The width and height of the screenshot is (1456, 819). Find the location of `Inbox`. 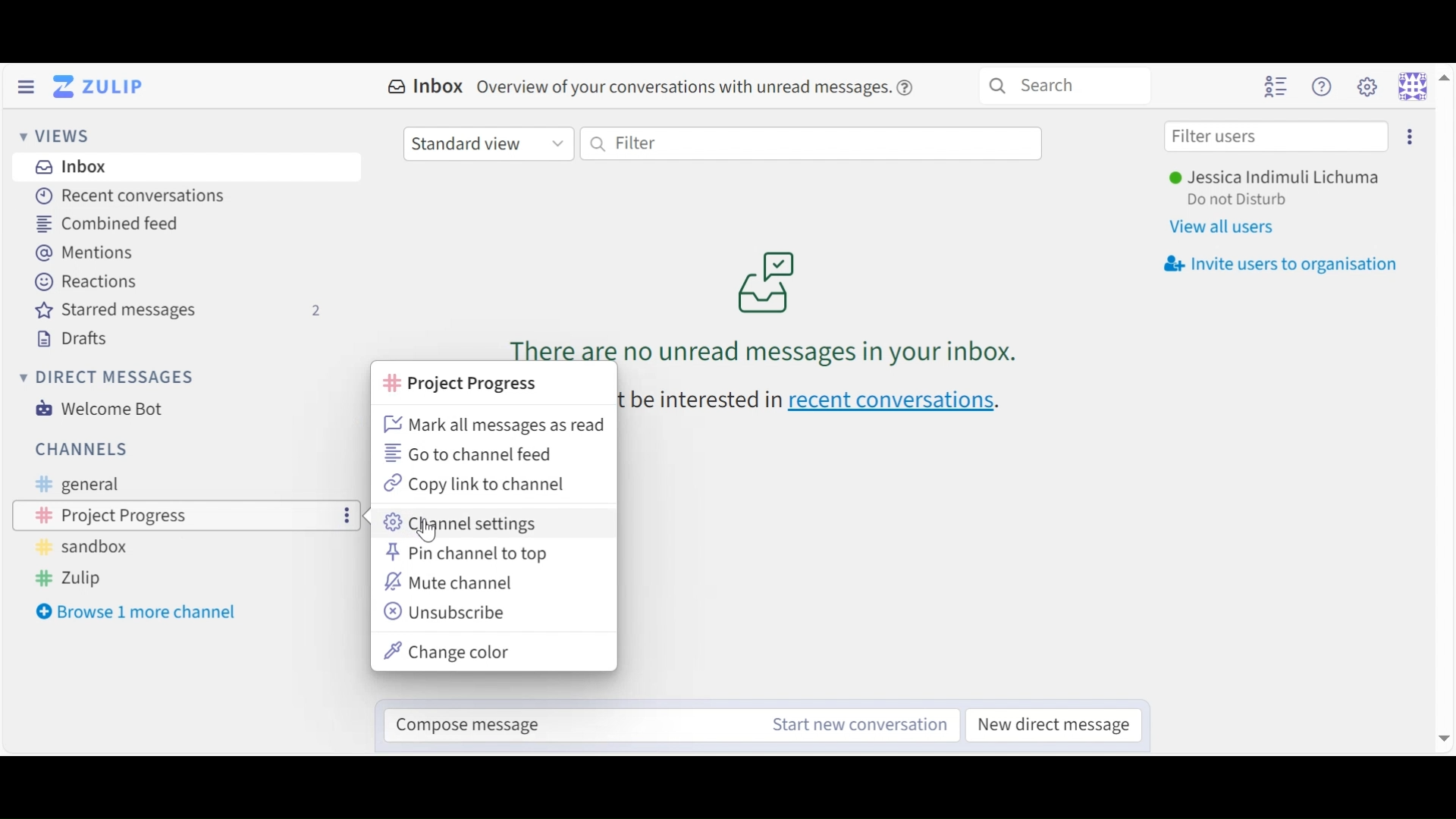

Inbox is located at coordinates (71, 168).